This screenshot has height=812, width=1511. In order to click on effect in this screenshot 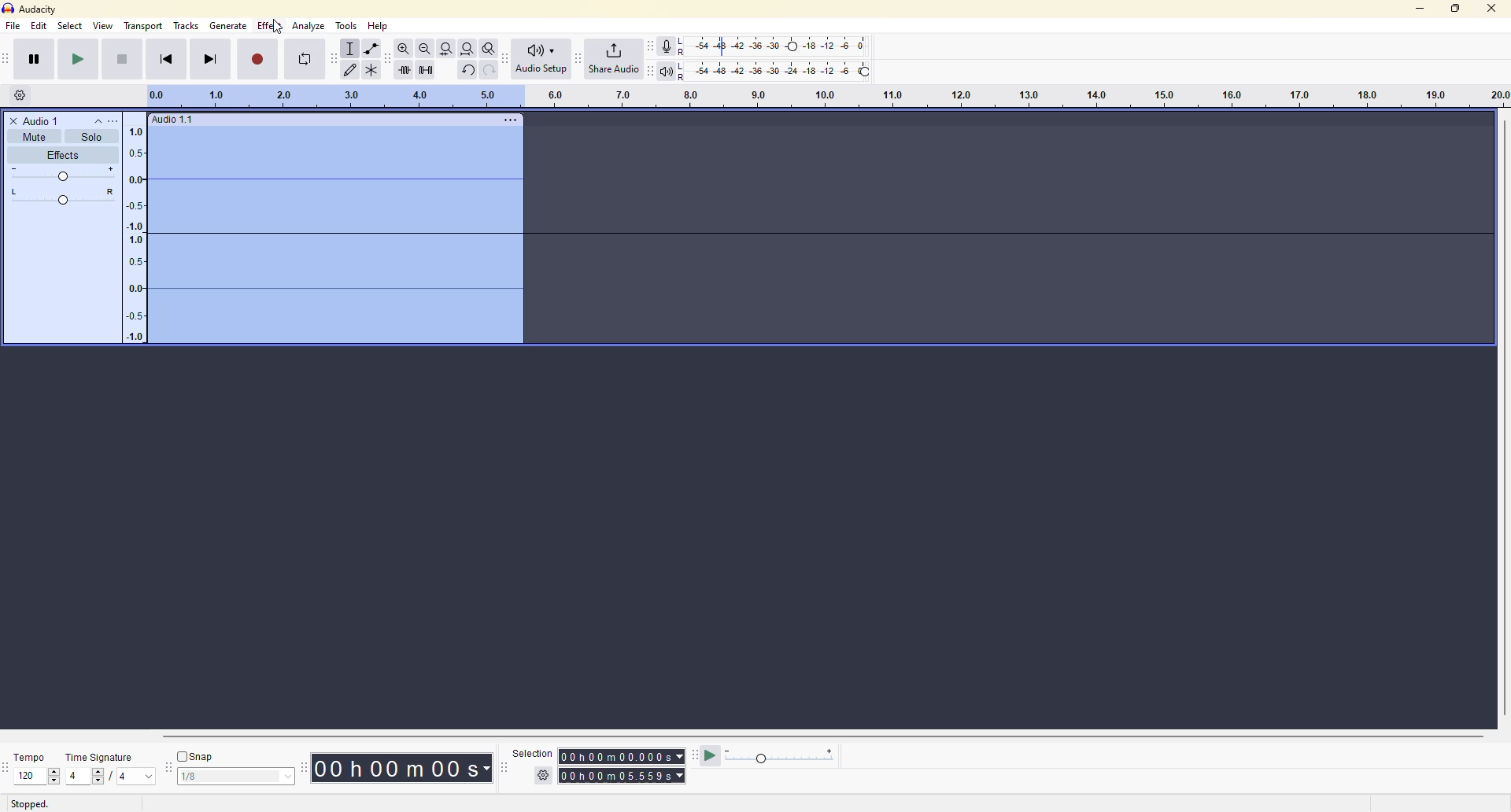, I will do `click(271, 25)`.